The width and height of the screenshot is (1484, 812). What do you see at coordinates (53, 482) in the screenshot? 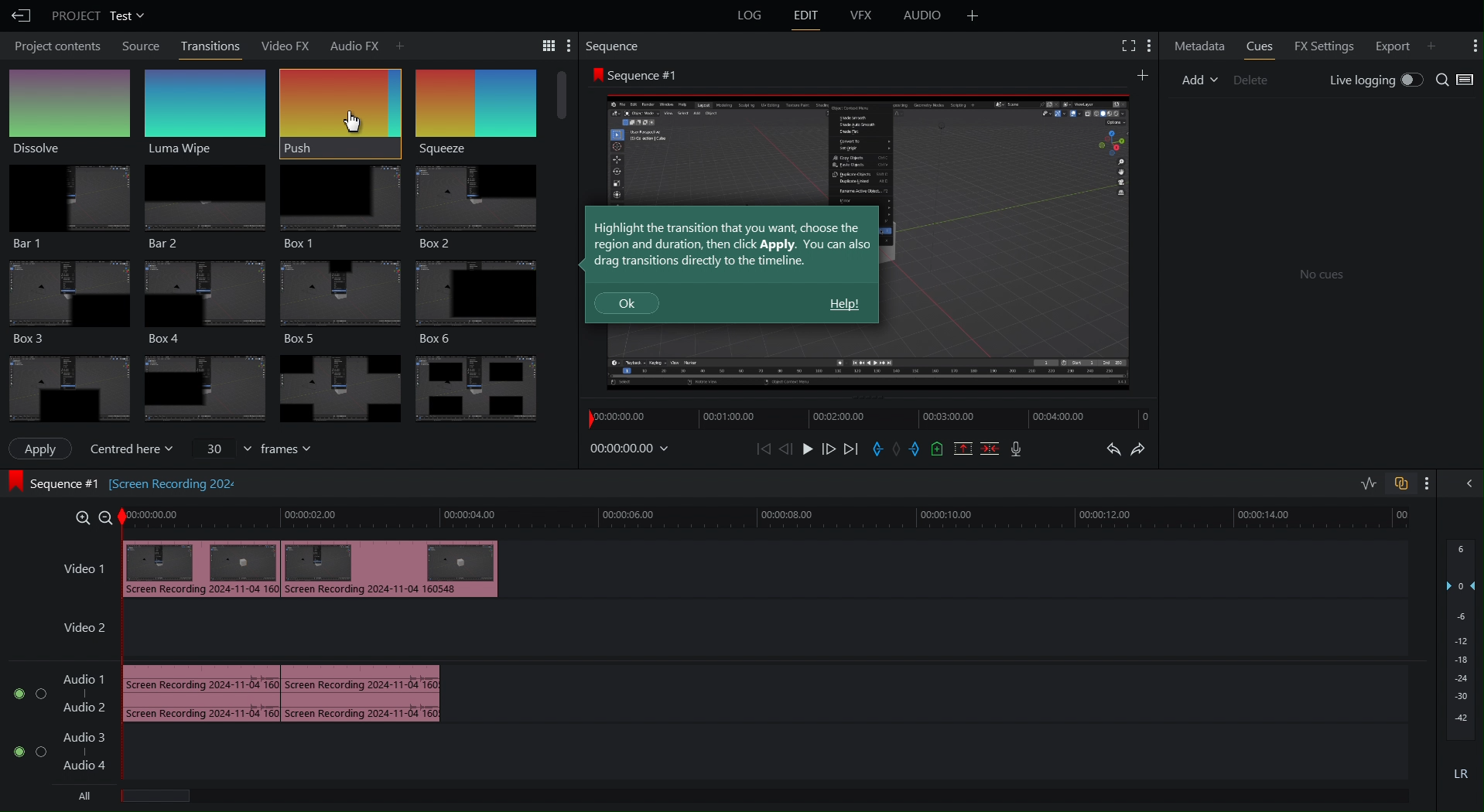
I see `Sequence #1 [Screen recording 202]` at bounding box center [53, 482].